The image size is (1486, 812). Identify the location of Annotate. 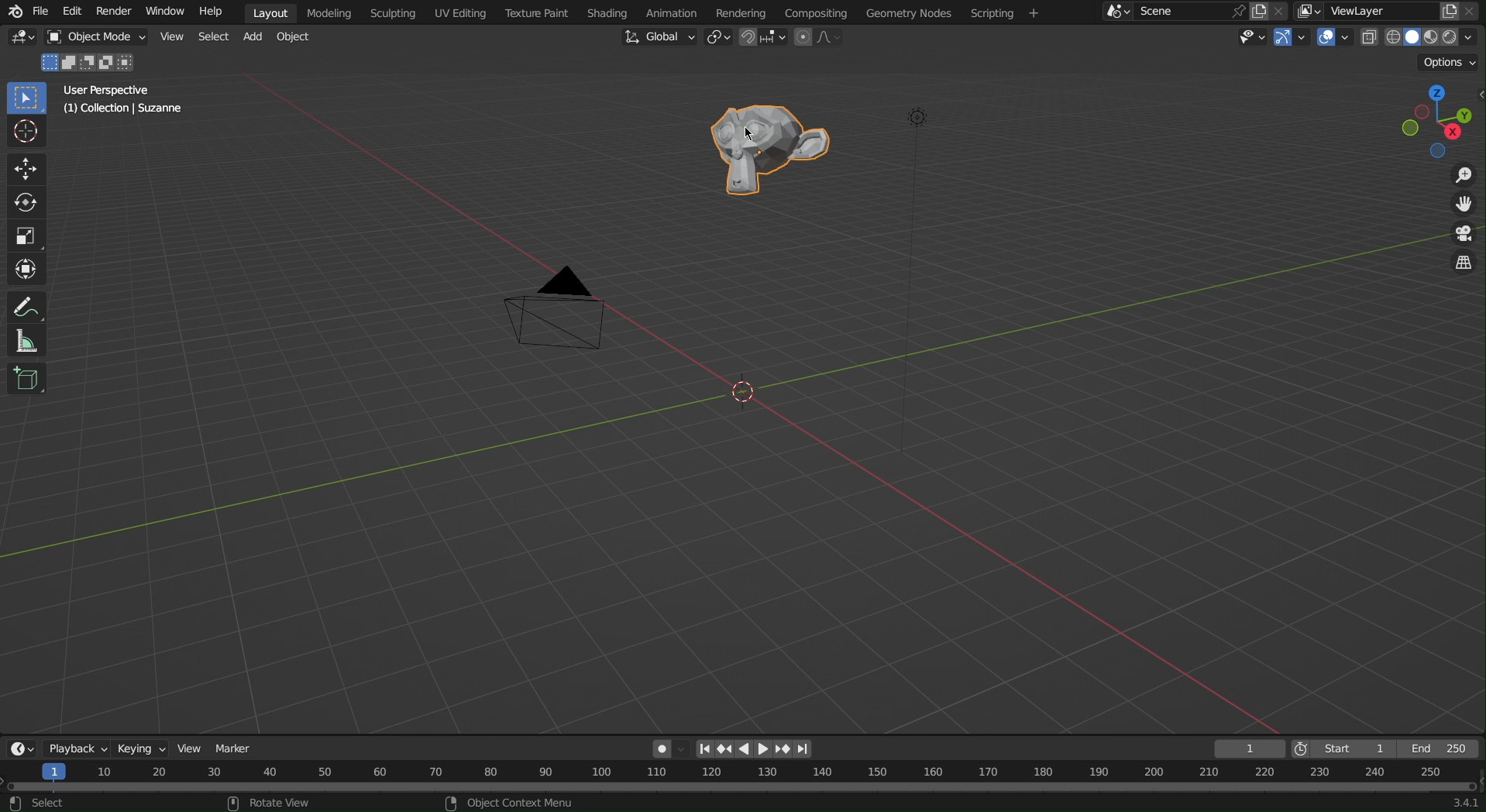
(28, 306).